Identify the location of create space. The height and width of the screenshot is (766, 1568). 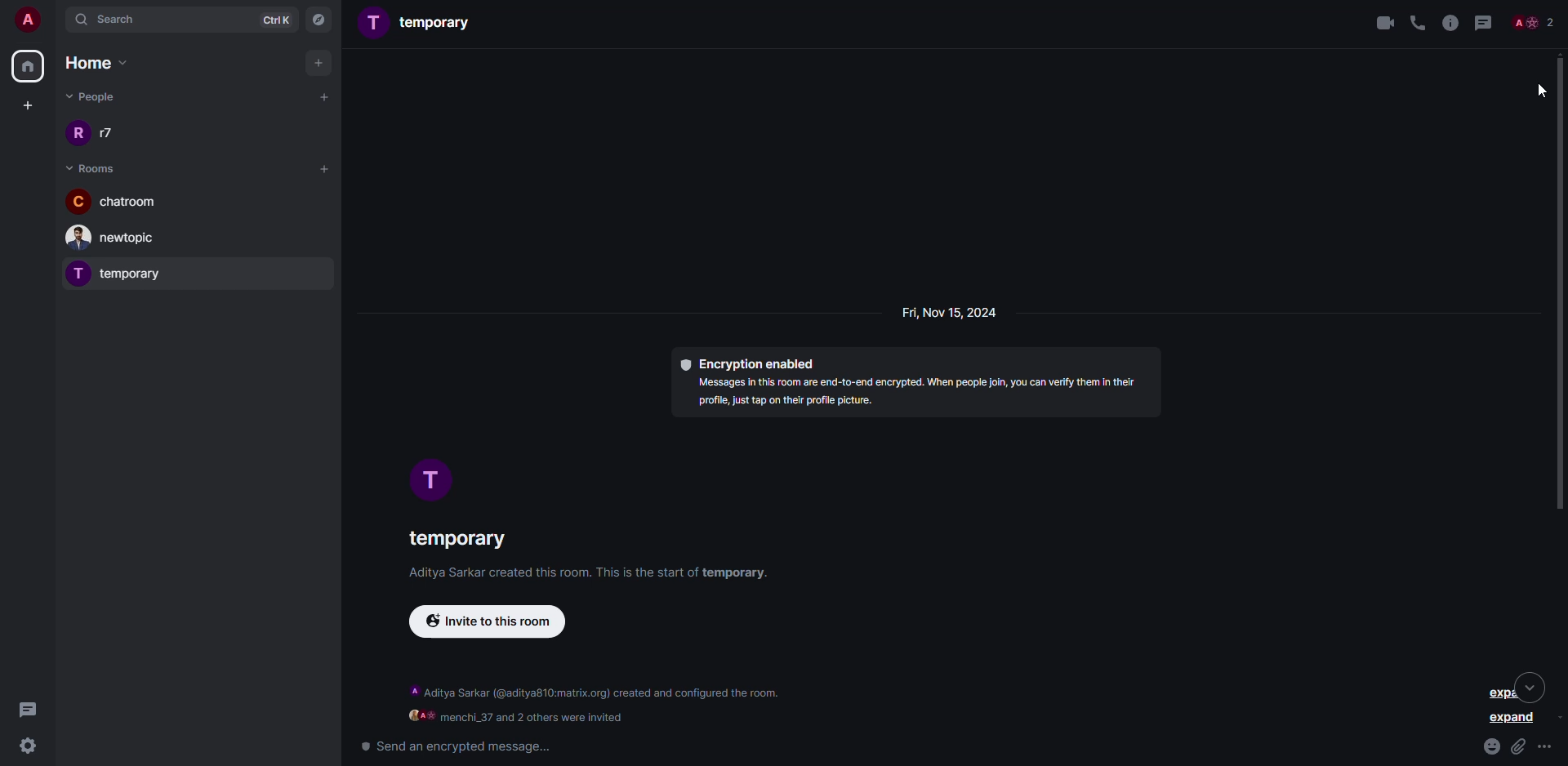
(28, 104).